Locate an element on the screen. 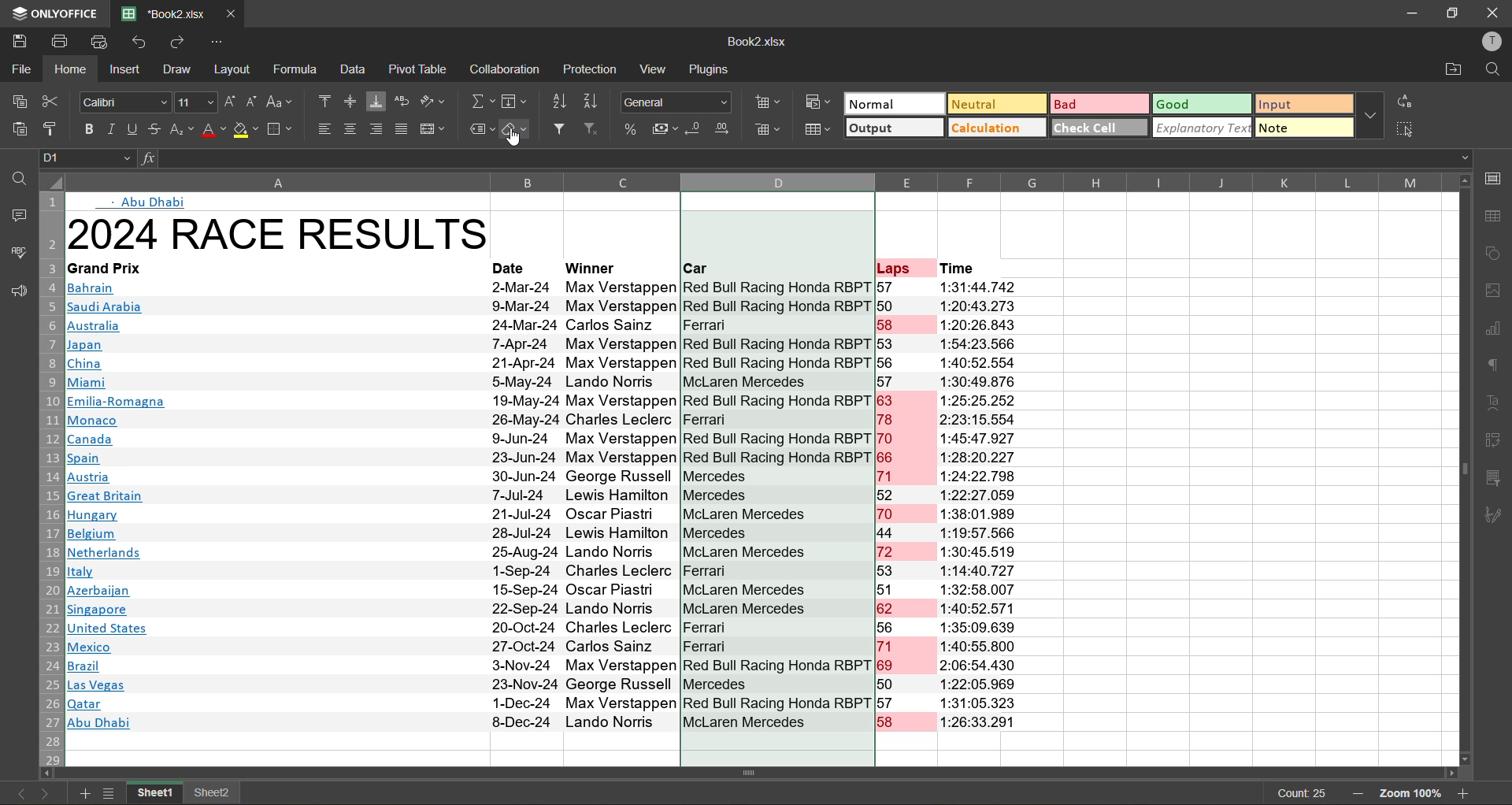 Image resolution: width=1512 pixels, height=805 pixels. input formula is located at coordinates (143, 159).